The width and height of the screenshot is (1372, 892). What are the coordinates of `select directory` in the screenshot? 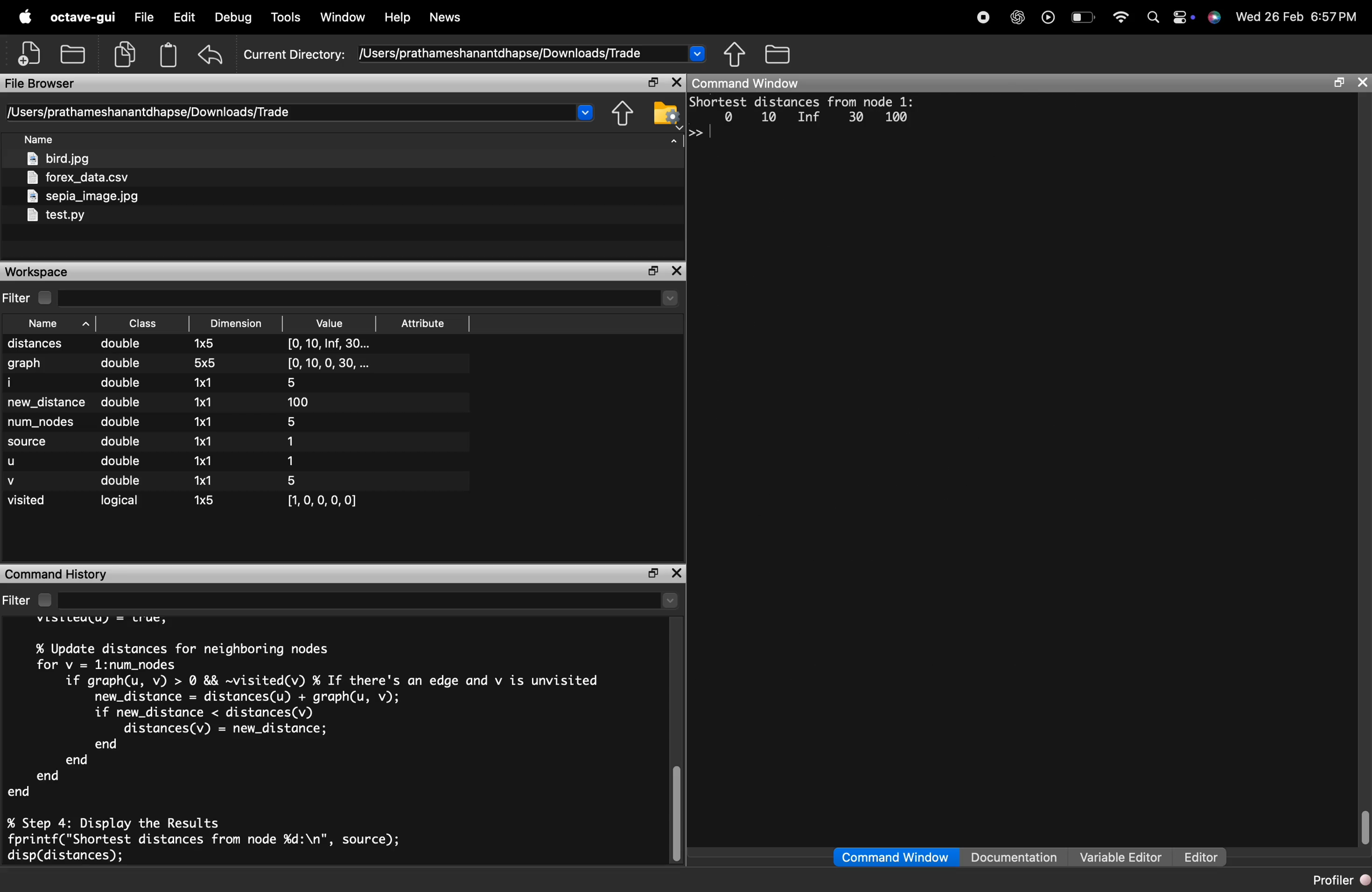 It's located at (370, 600).